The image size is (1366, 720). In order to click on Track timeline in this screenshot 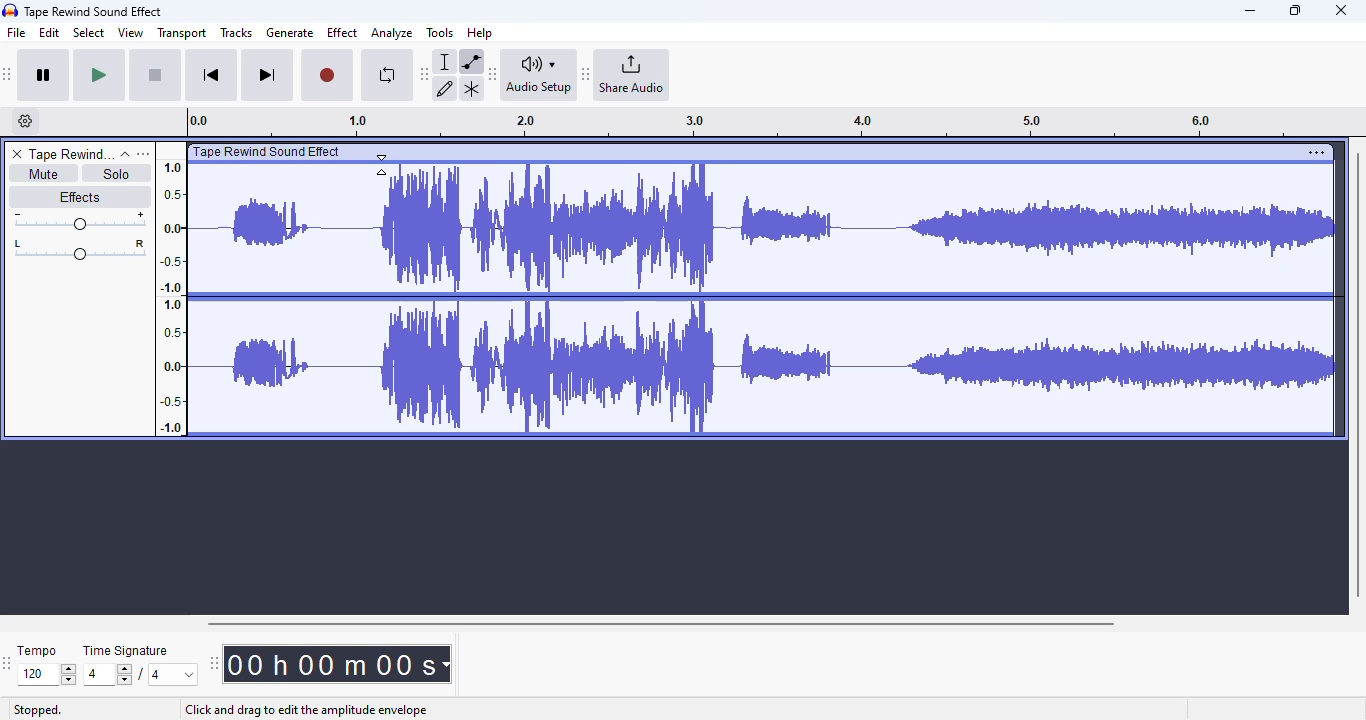, I will do `click(744, 122)`.